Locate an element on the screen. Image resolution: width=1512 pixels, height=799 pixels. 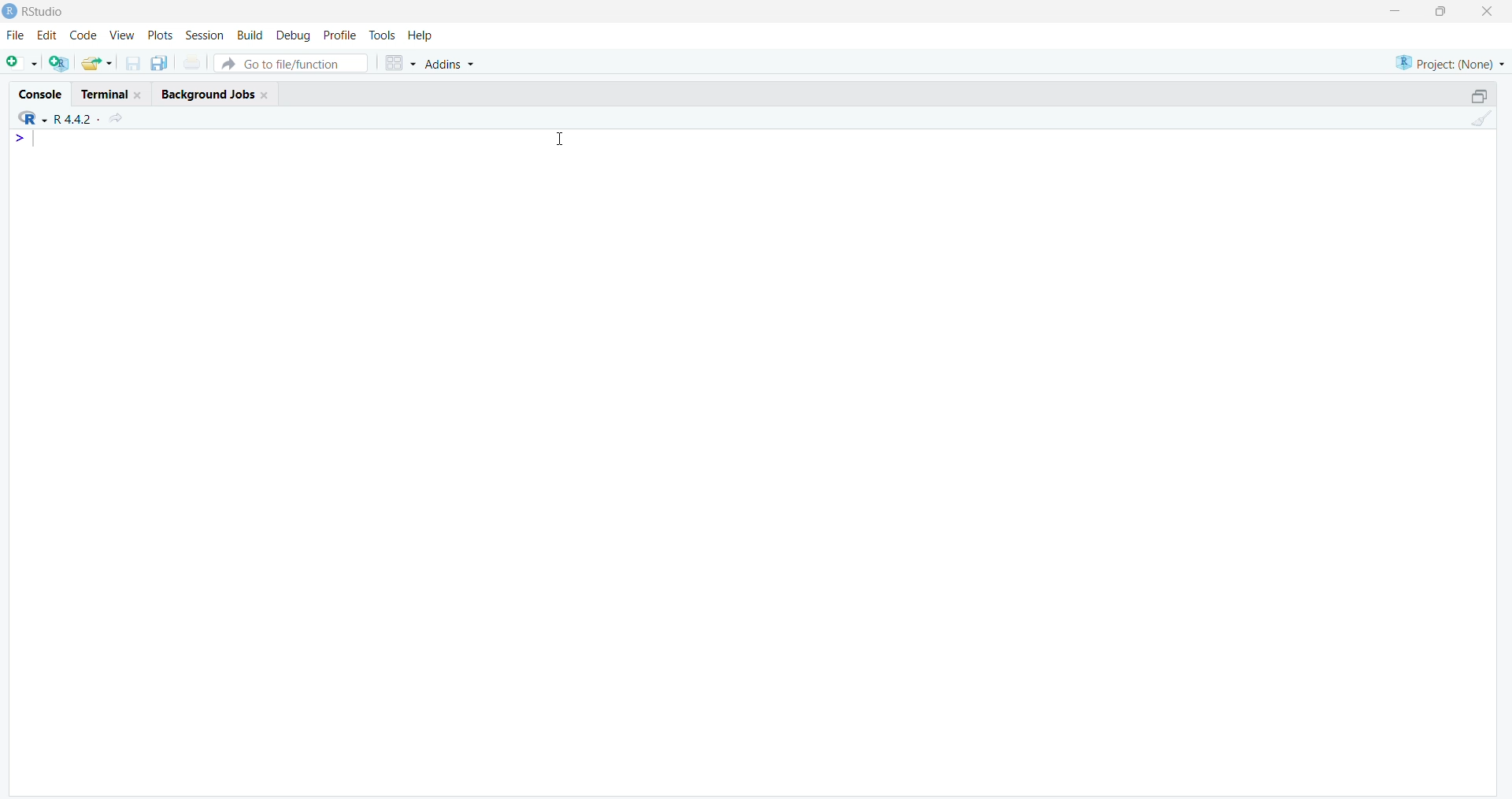
Help is located at coordinates (421, 35).